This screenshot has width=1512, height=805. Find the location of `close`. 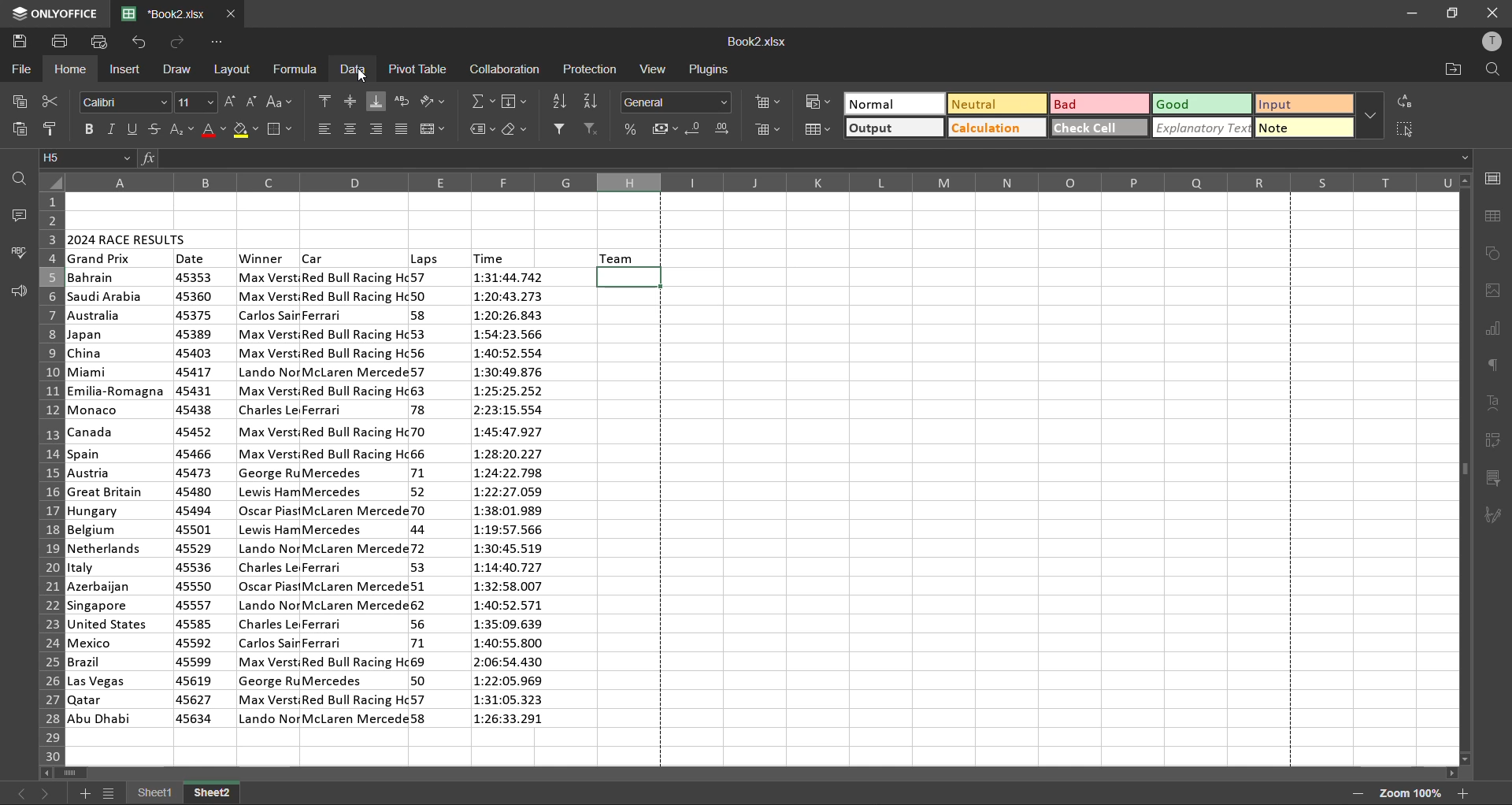

close is located at coordinates (1491, 12).